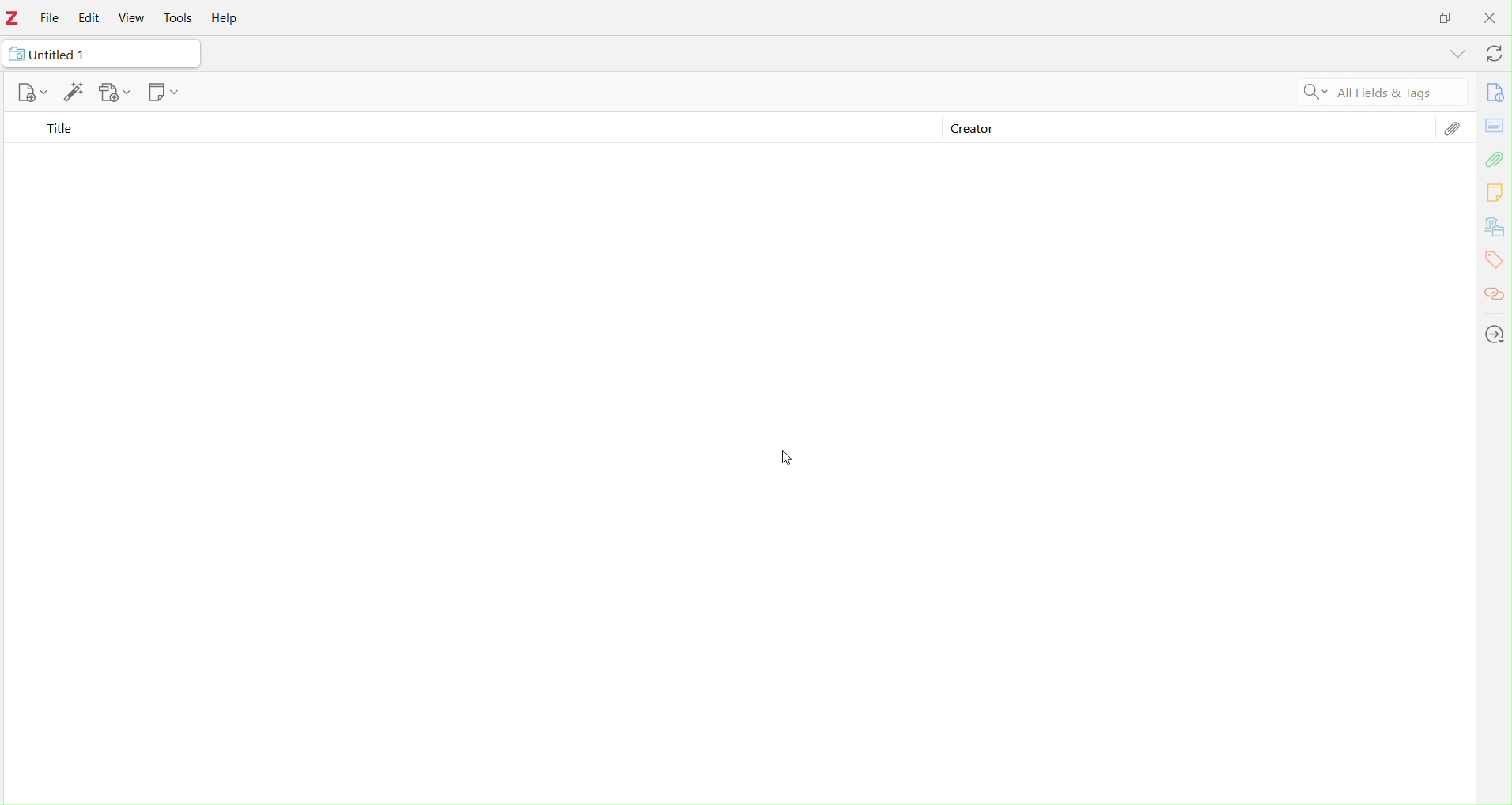 This screenshot has height=805, width=1512. I want to click on Refresh, so click(1490, 55).